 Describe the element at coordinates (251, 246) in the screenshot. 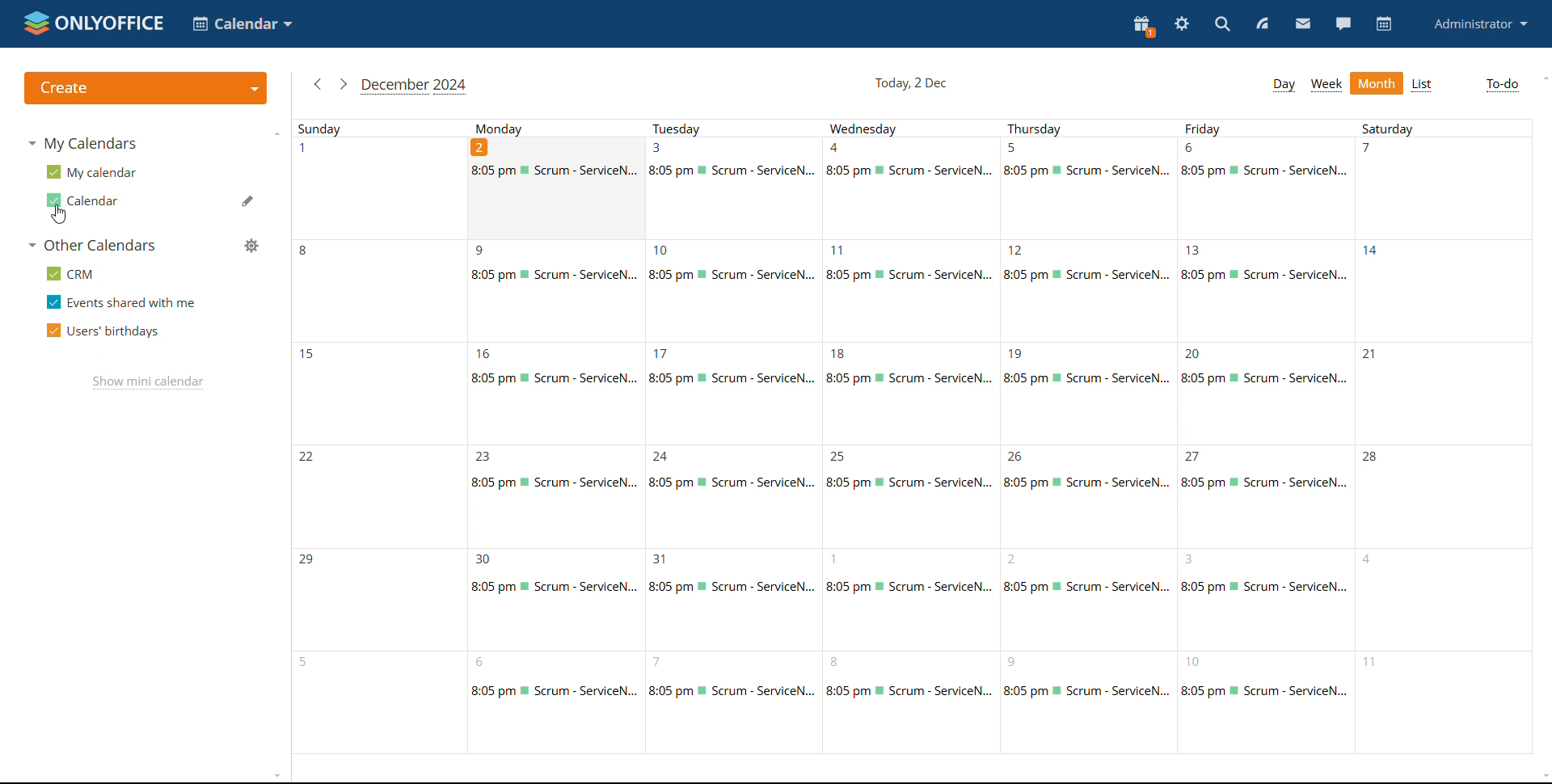

I see `manage` at that location.